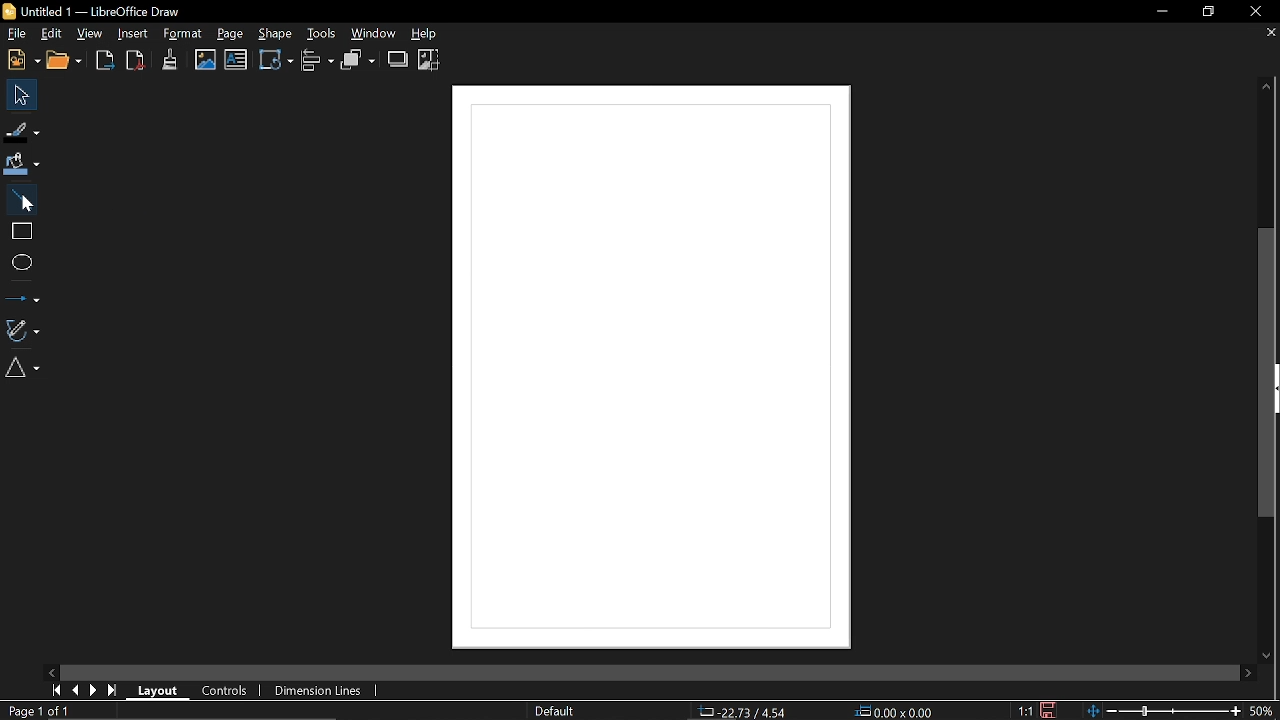  Describe the element at coordinates (1048, 711) in the screenshot. I see `Save` at that location.